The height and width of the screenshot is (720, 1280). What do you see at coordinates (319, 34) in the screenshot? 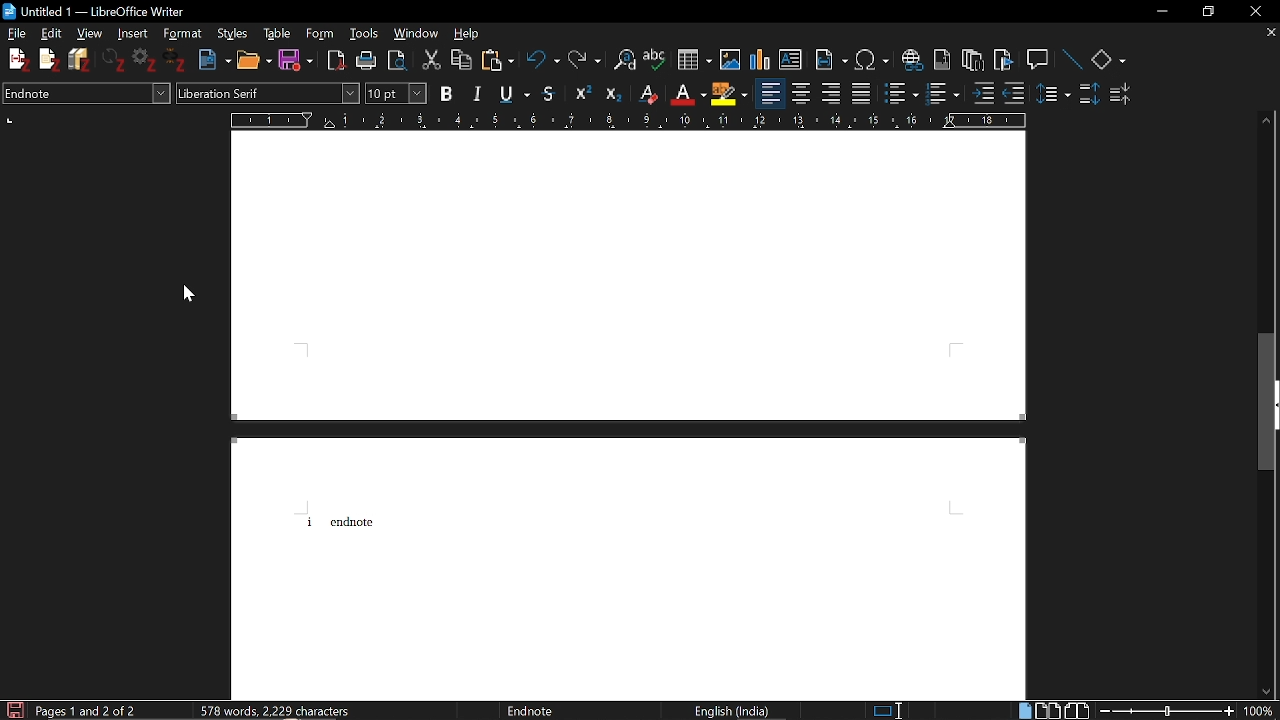
I see `Form` at bounding box center [319, 34].